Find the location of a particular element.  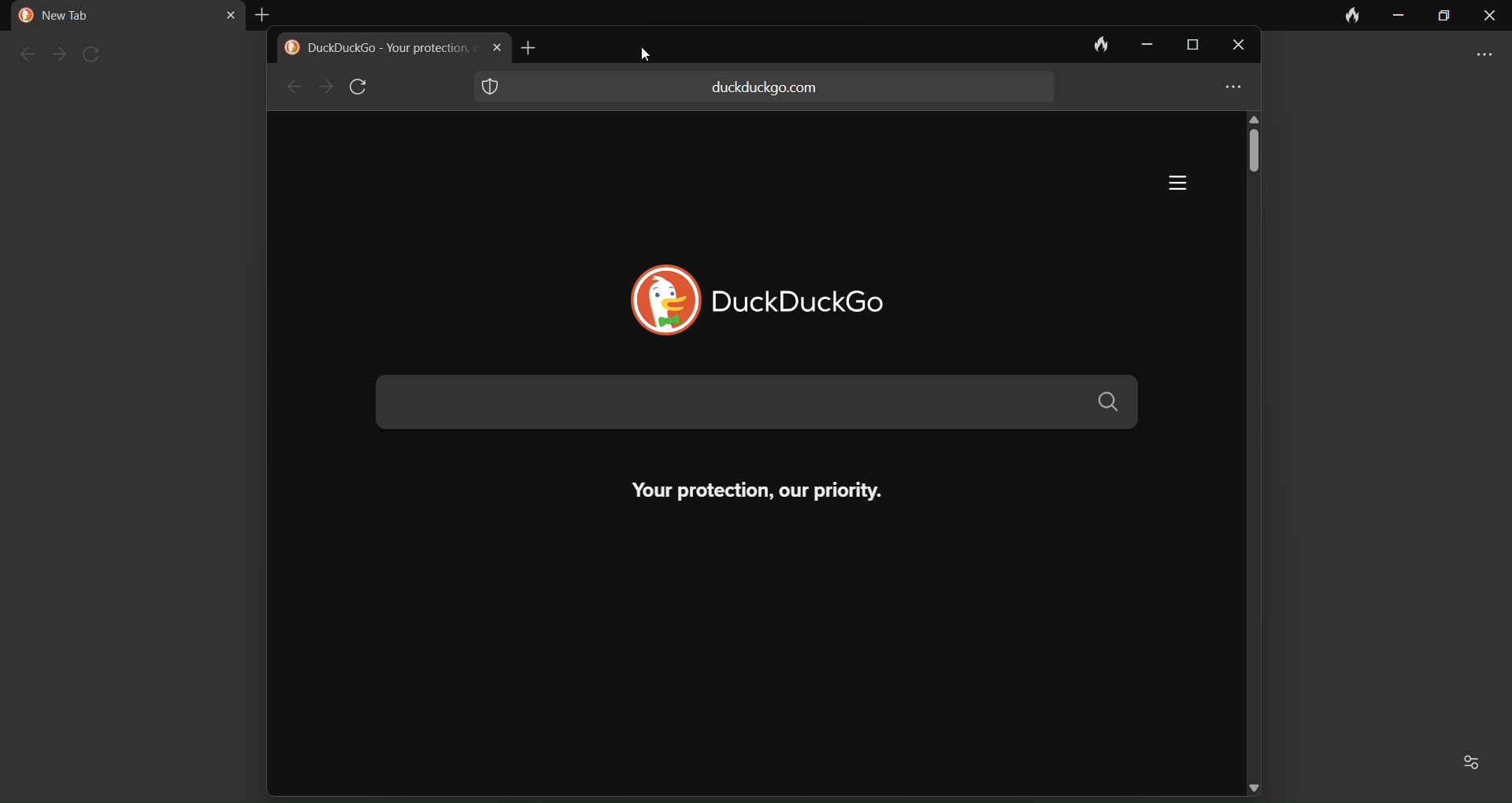

clear data is located at coordinates (1354, 16).